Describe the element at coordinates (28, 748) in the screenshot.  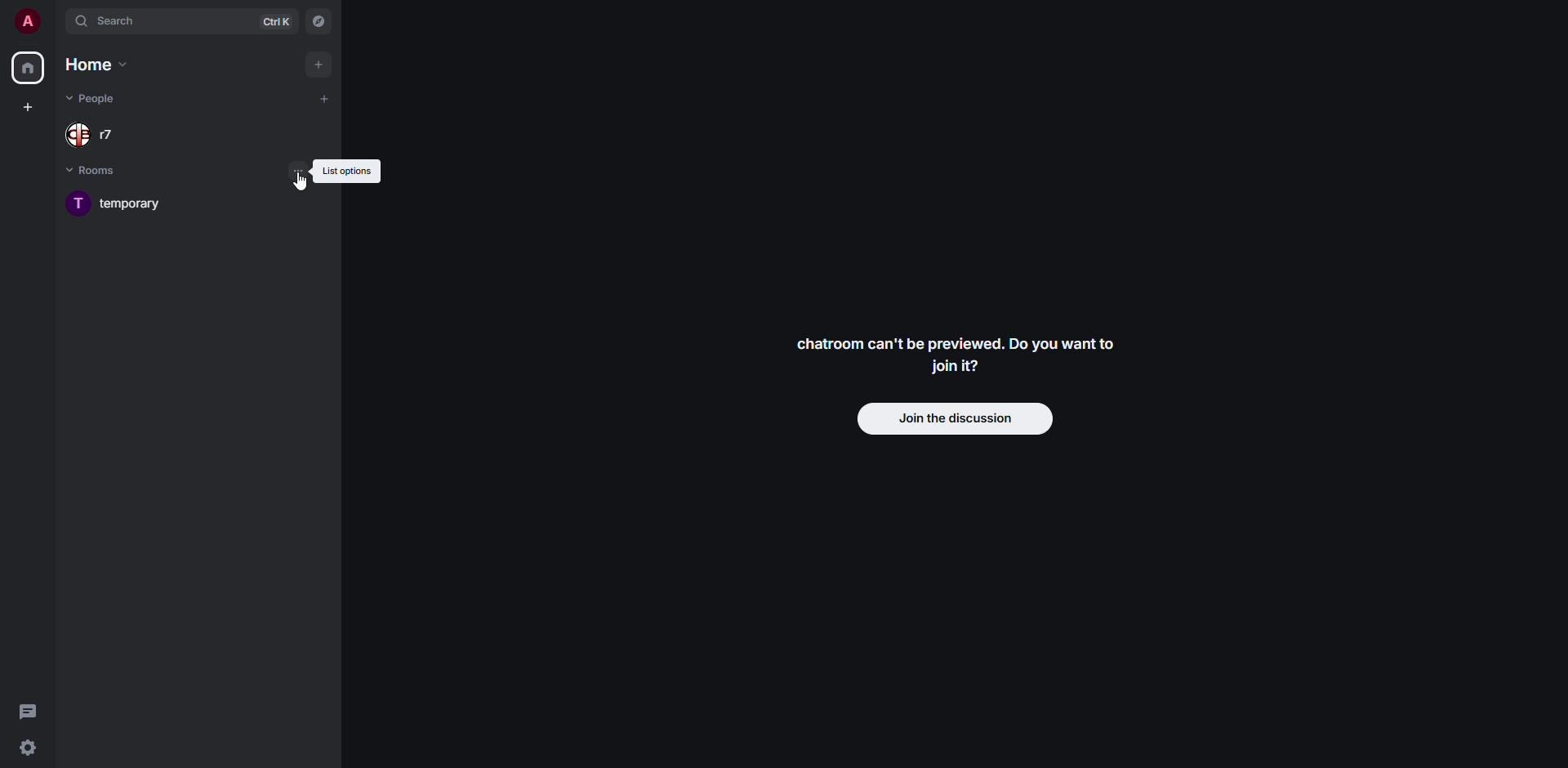
I see `quick settings` at that location.